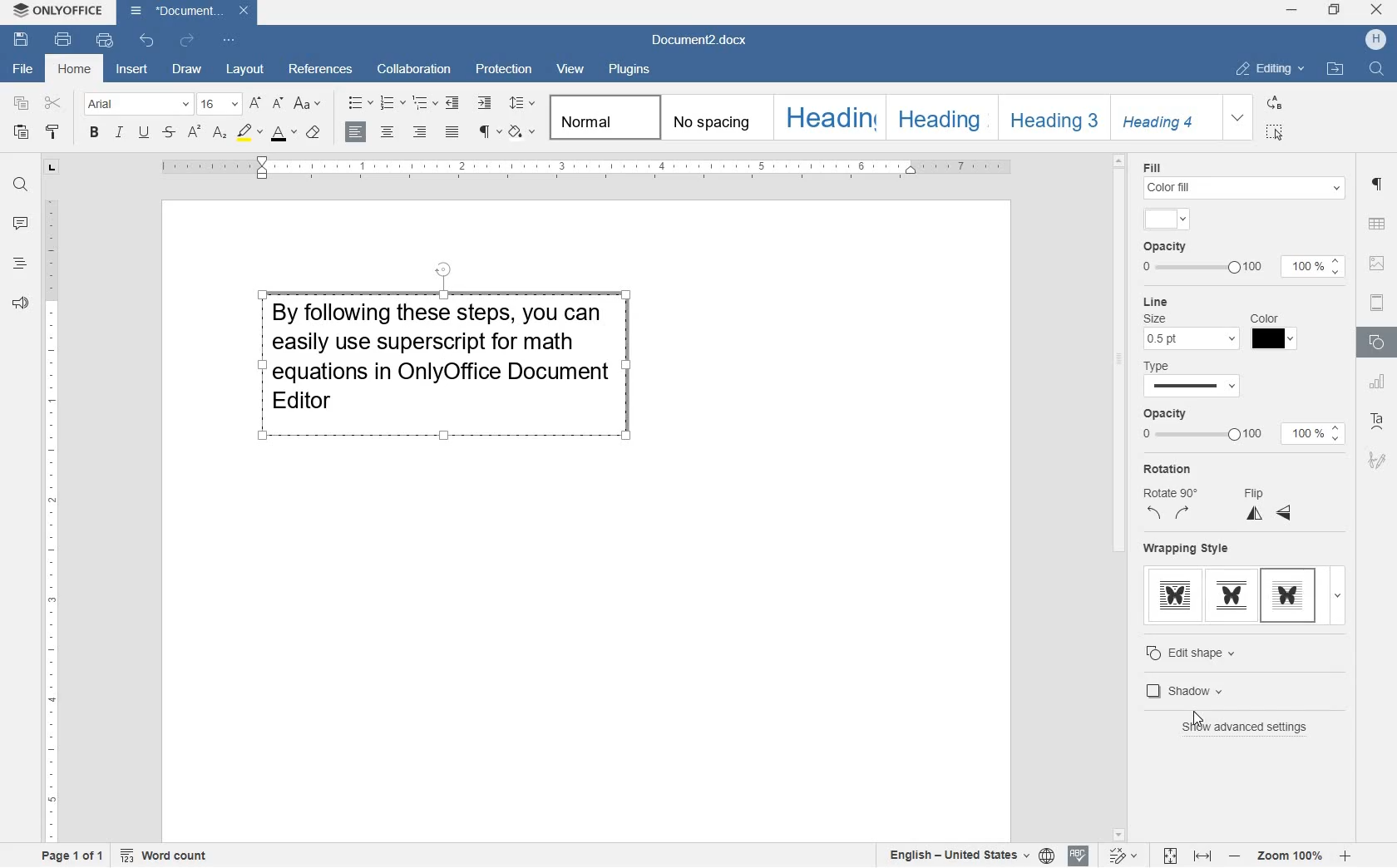 The image size is (1397, 868). I want to click on minimize, so click(1291, 8).